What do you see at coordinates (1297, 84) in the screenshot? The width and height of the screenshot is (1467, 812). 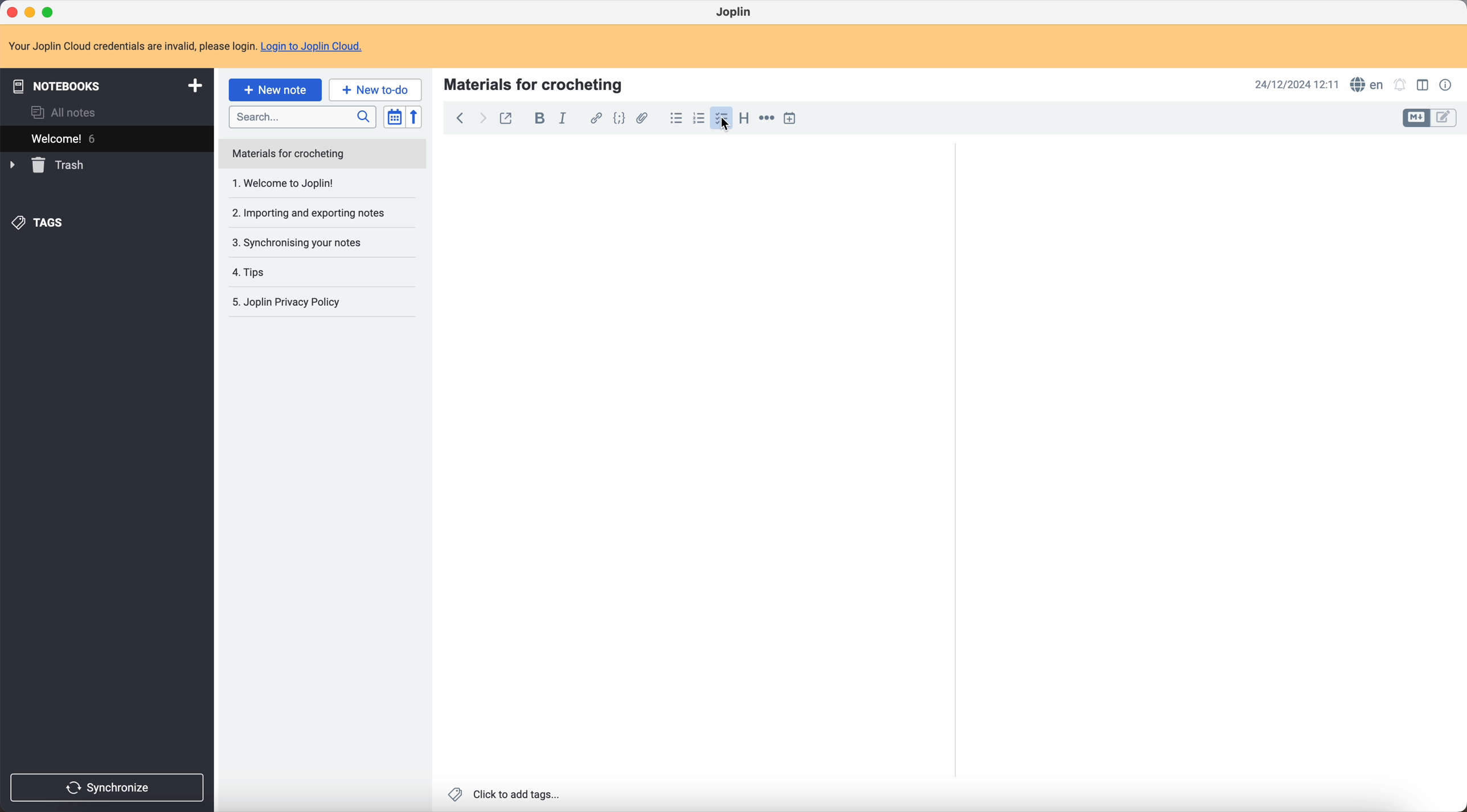 I see `date and hour` at bounding box center [1297, 84].